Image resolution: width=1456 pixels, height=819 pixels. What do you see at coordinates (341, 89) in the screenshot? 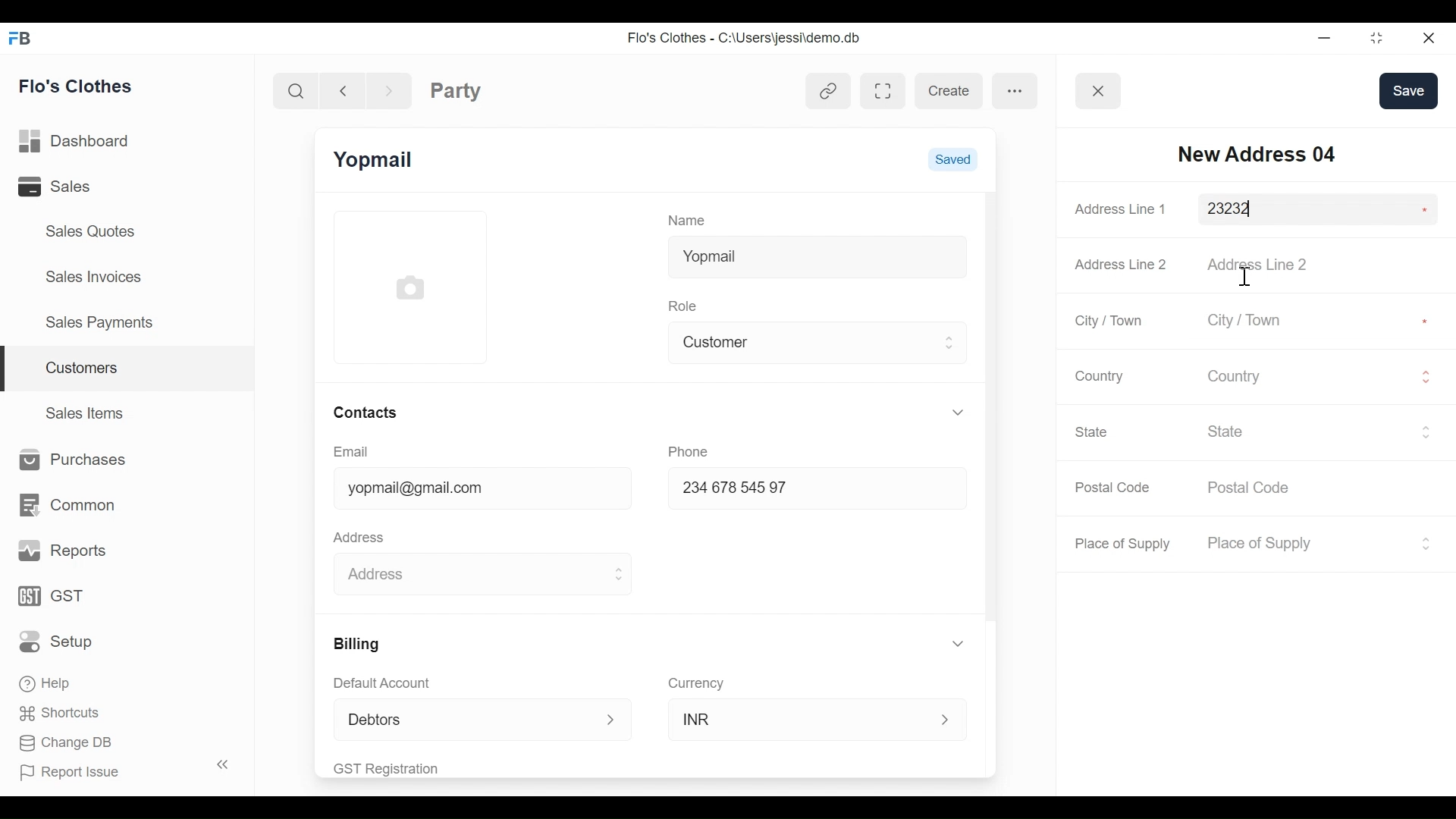
I see `Navigate back` at bounding box center [341, 89].